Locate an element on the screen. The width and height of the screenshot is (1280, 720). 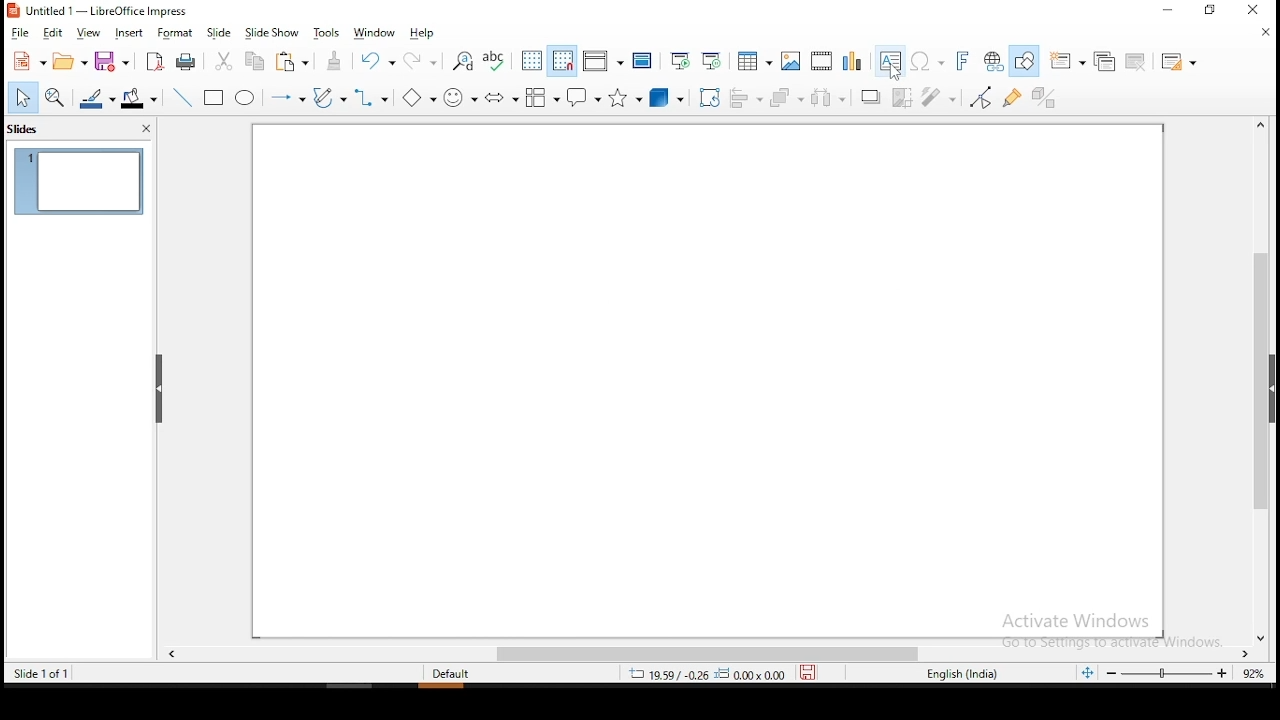
new is located at coordinates (28, 61).